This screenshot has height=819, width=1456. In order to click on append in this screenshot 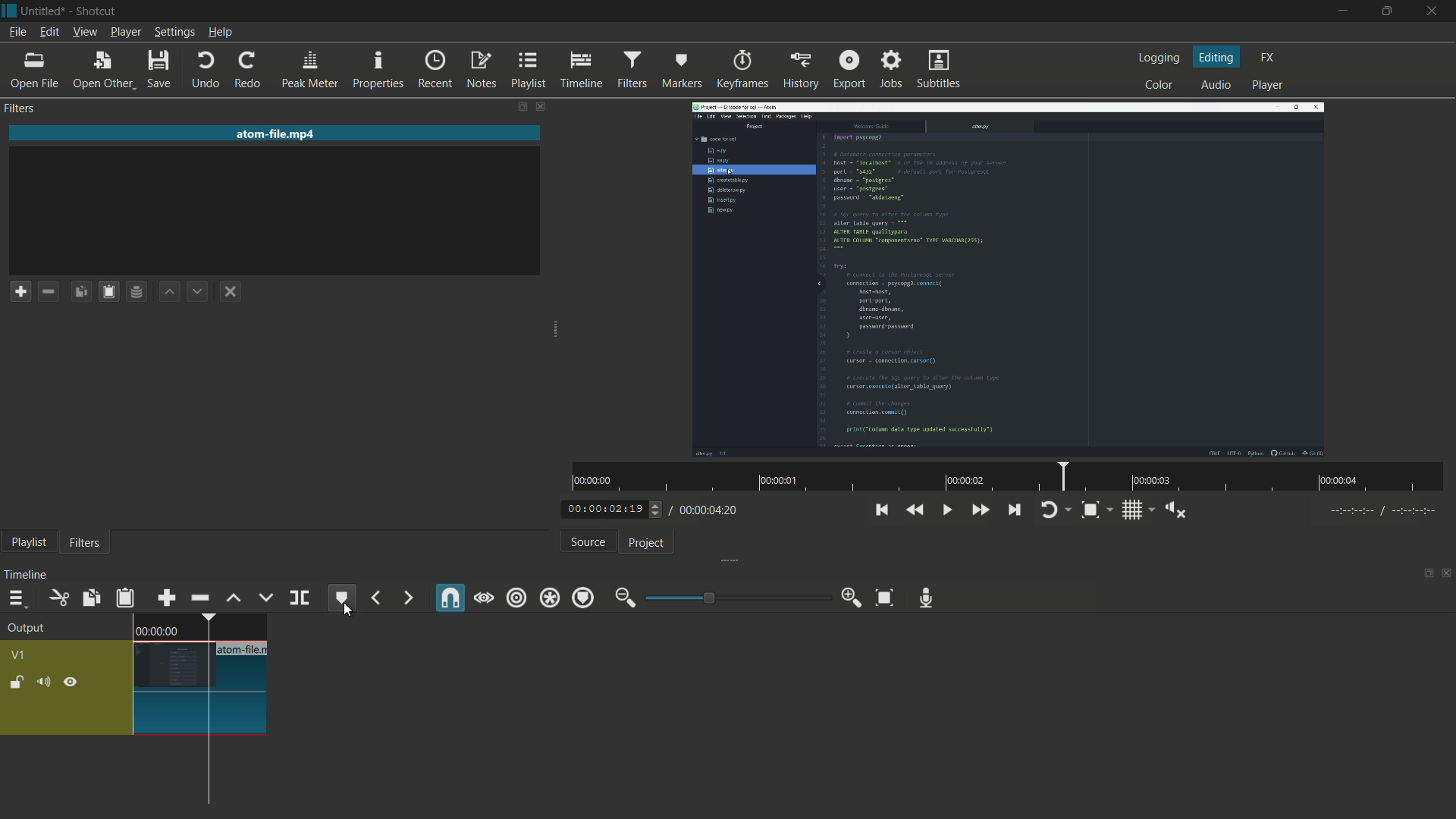, I will do `click(165, 598)`.